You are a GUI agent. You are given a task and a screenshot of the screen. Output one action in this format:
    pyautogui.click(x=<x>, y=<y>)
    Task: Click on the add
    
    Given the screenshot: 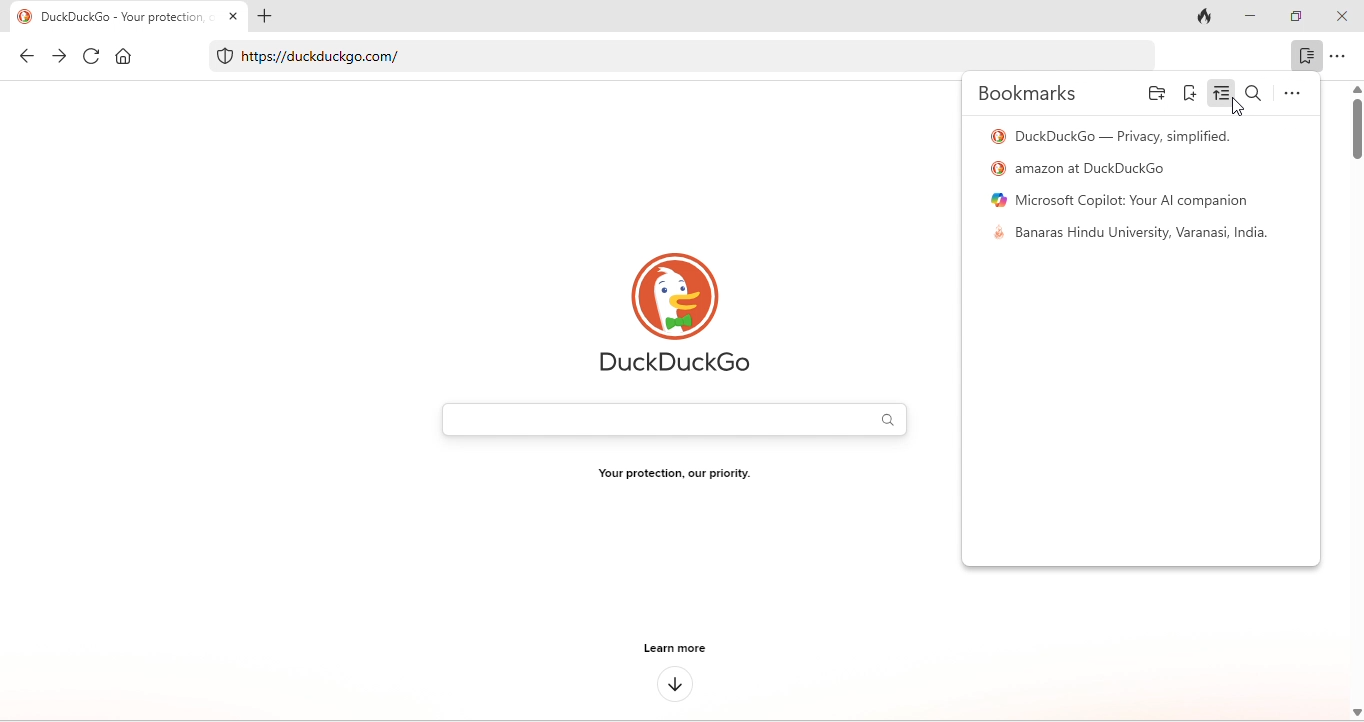 What is the action you would take?
    pyautogui.click(x=266, y=20)
    